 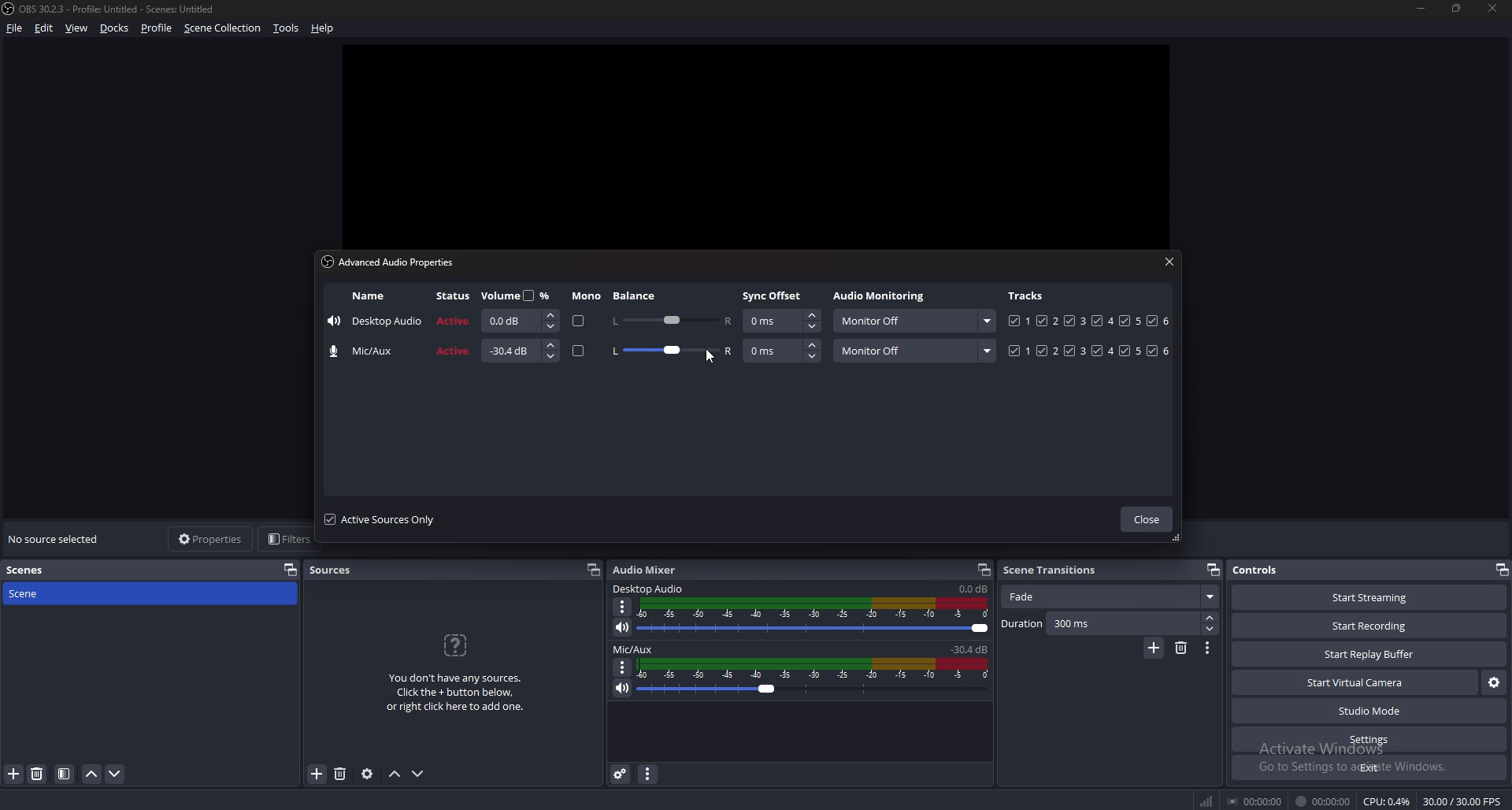 I want to click on move source up, so click(x=394, y=775).